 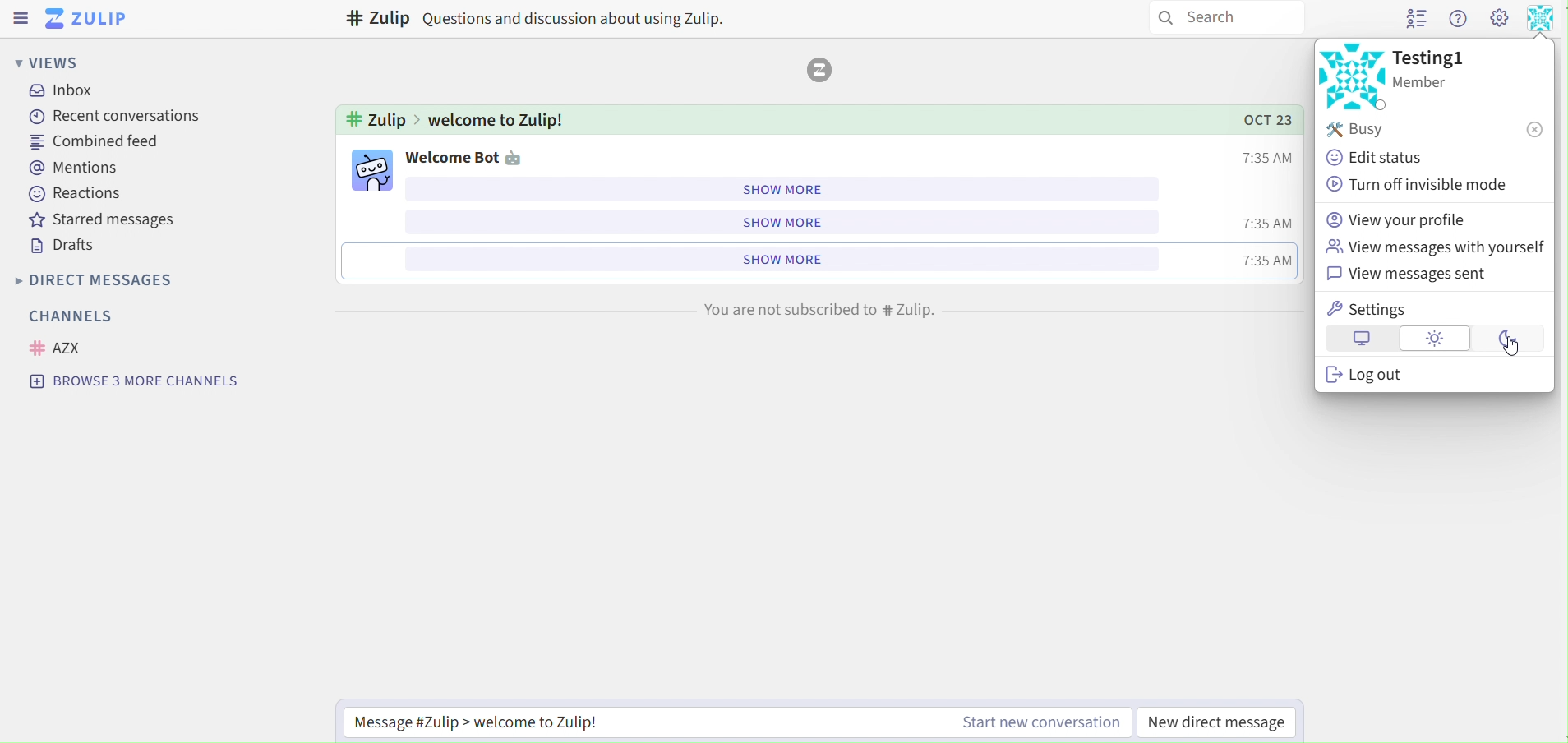 What do you see at coordinates (1433, 245) in the screenshot?
I see `view messages with yourself` at bounding box center [1433, 245].